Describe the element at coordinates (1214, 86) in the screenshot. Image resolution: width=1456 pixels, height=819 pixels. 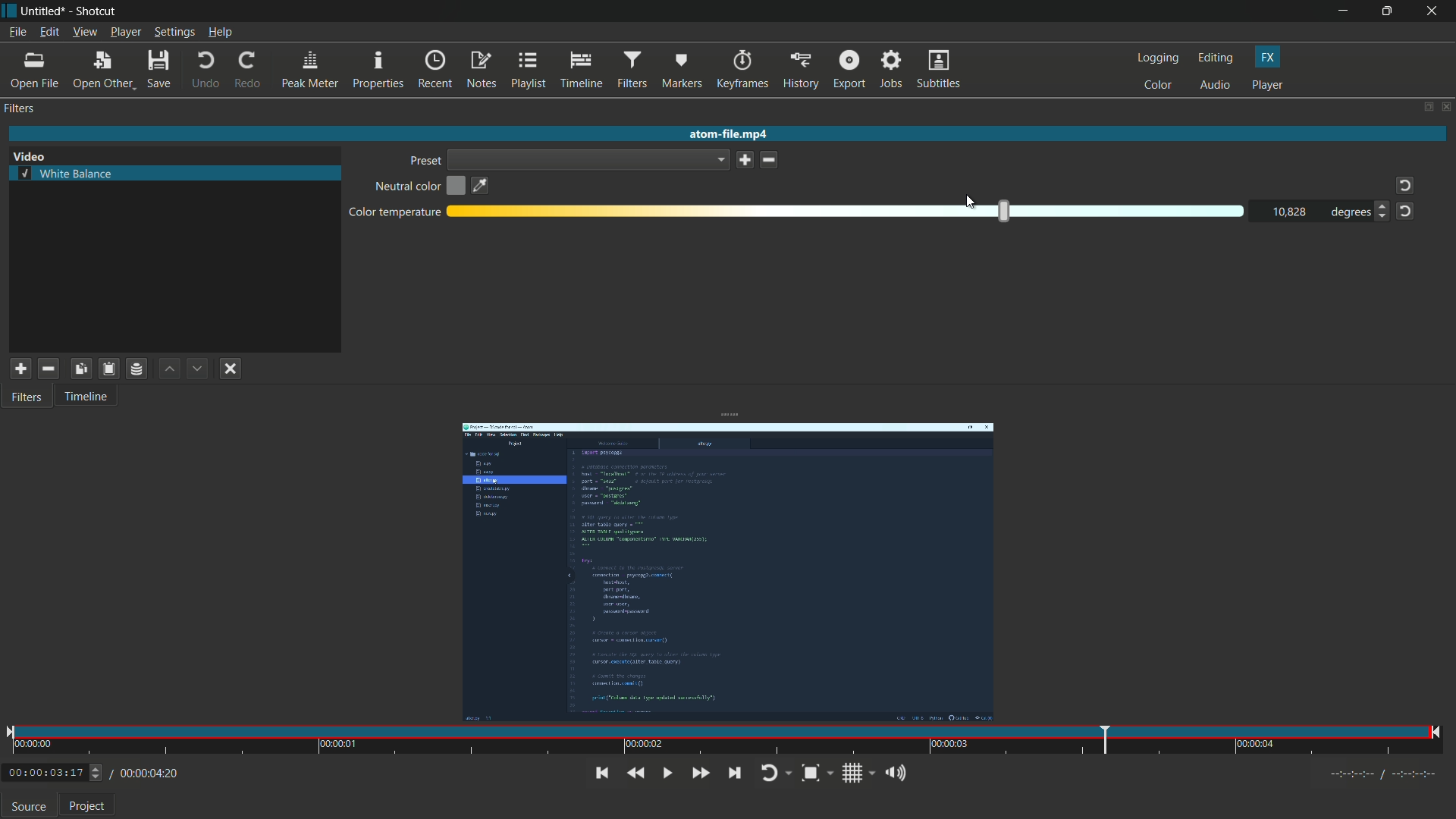
I see `audio` at that location.